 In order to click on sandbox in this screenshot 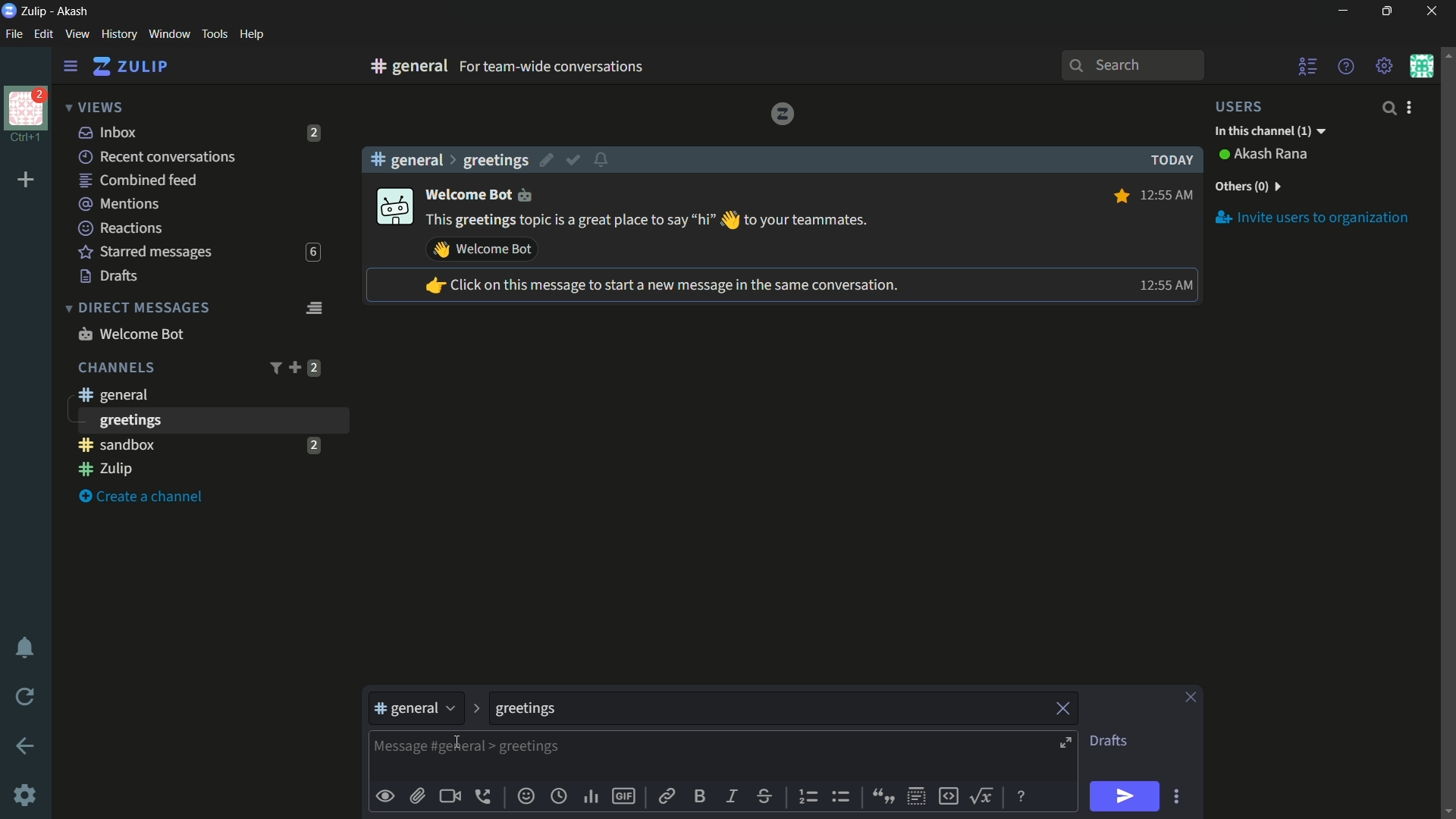, I will do `click(185, 444)`.